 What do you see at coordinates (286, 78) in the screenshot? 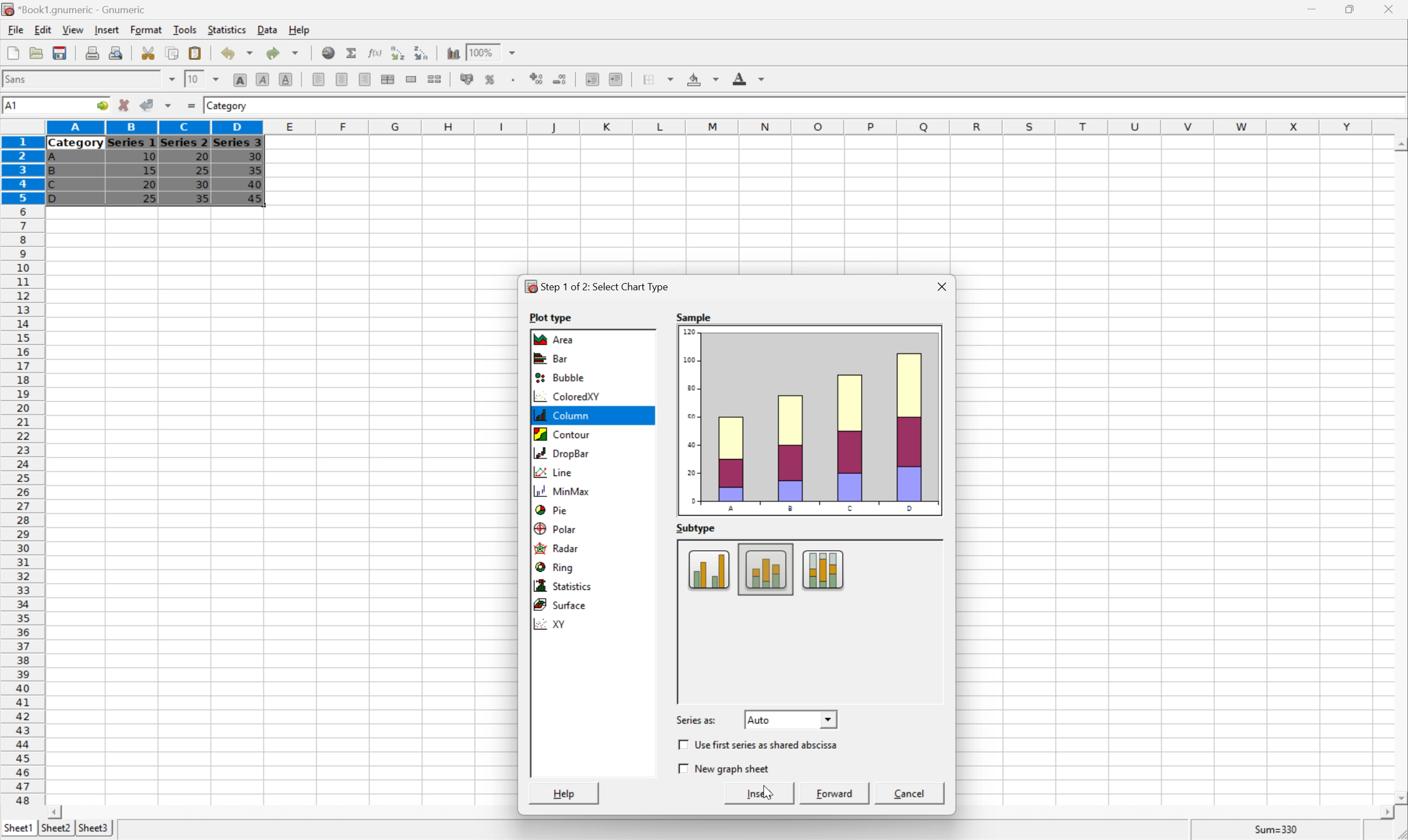
I see `Underline` at bounding box center [286, 78].